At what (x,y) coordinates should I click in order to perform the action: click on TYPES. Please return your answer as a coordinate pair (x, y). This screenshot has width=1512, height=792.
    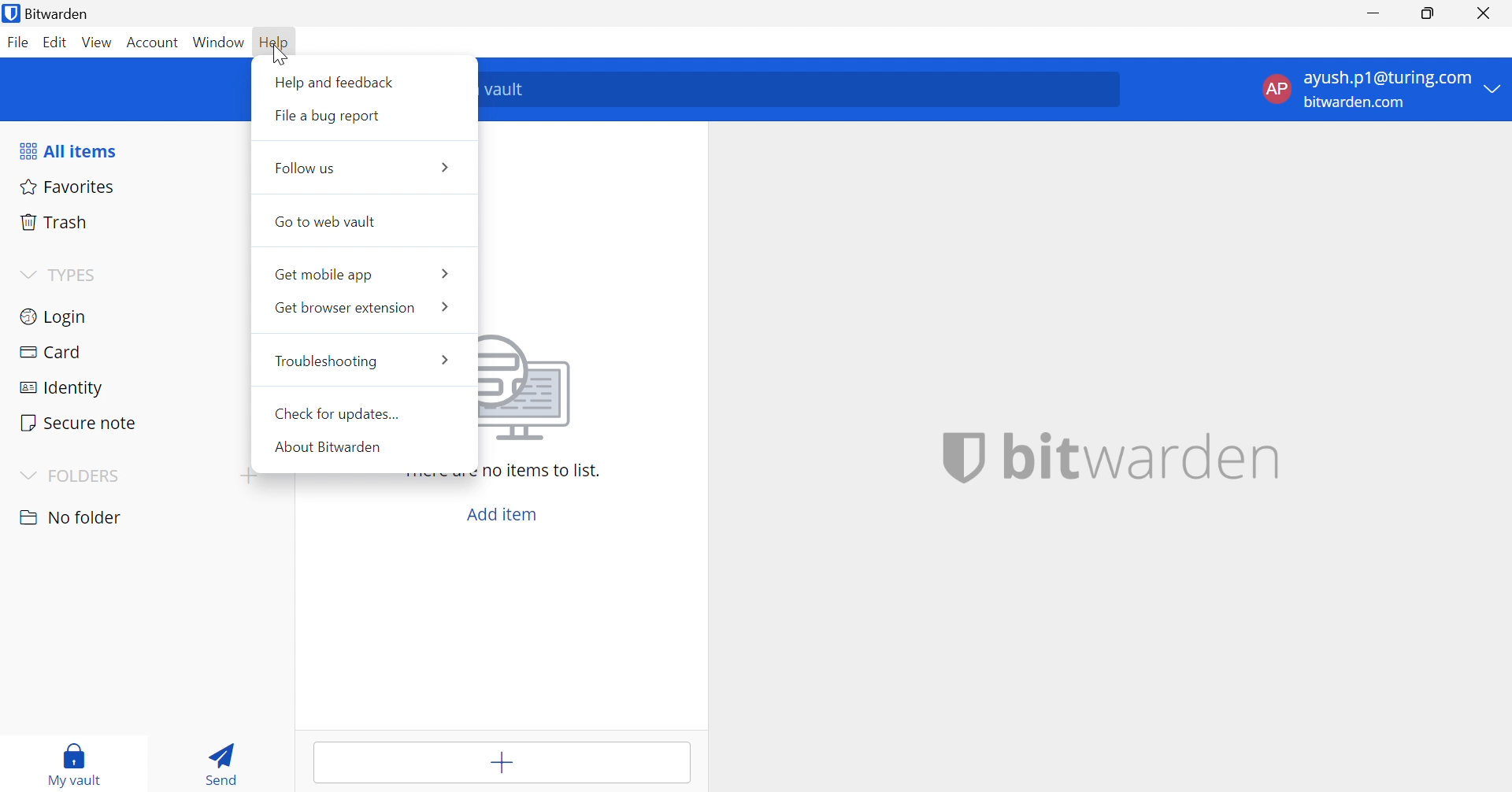
    Looking at the image, I should click on (60, 273).